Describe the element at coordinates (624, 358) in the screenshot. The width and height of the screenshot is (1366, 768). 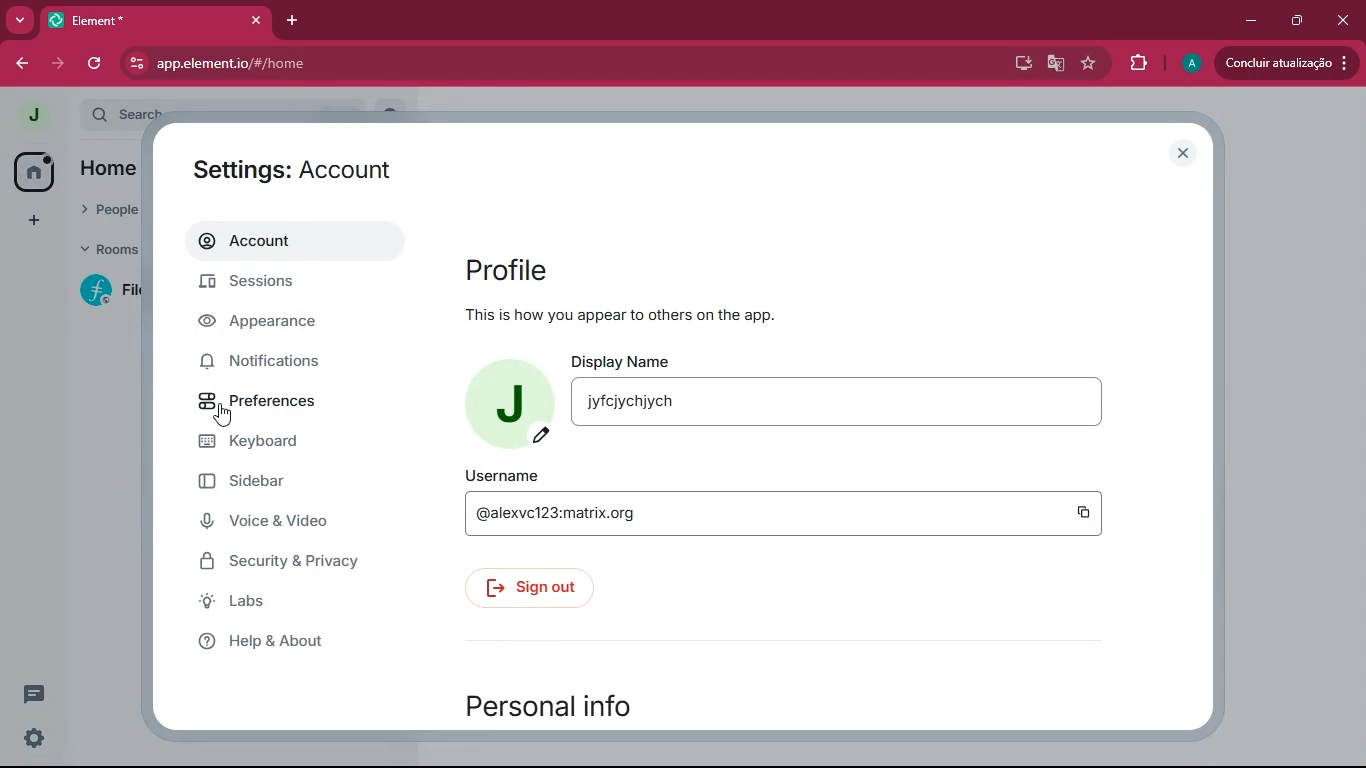
I see `display name` at that location.